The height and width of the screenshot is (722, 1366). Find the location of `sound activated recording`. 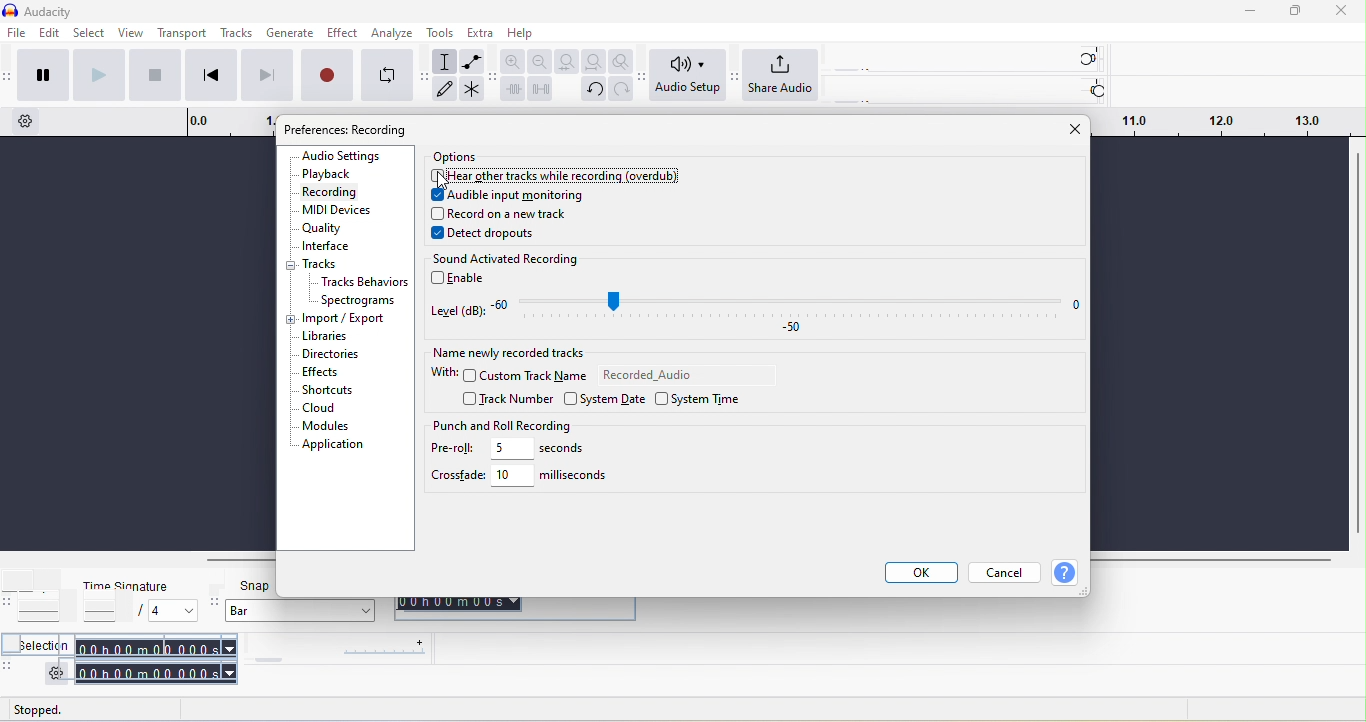

sound activated recording is located at coordinates (519, 259).